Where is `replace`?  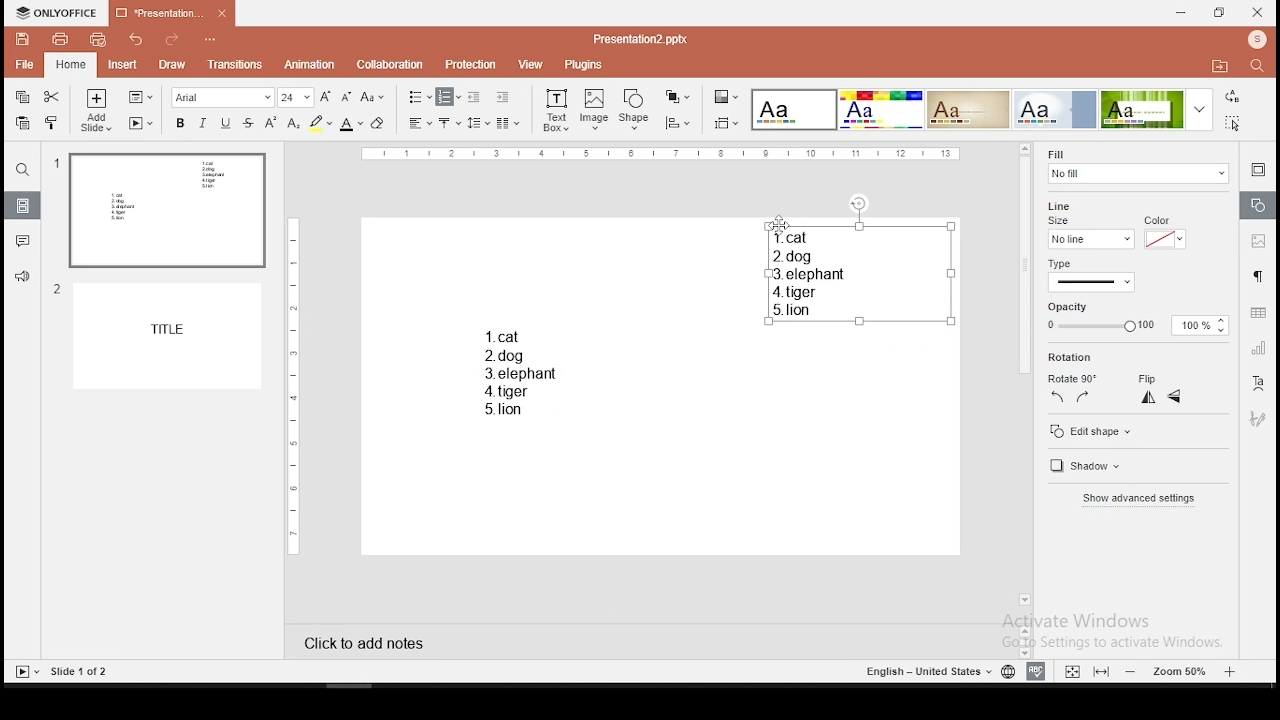
replace is located at coordinates (1233, 97).